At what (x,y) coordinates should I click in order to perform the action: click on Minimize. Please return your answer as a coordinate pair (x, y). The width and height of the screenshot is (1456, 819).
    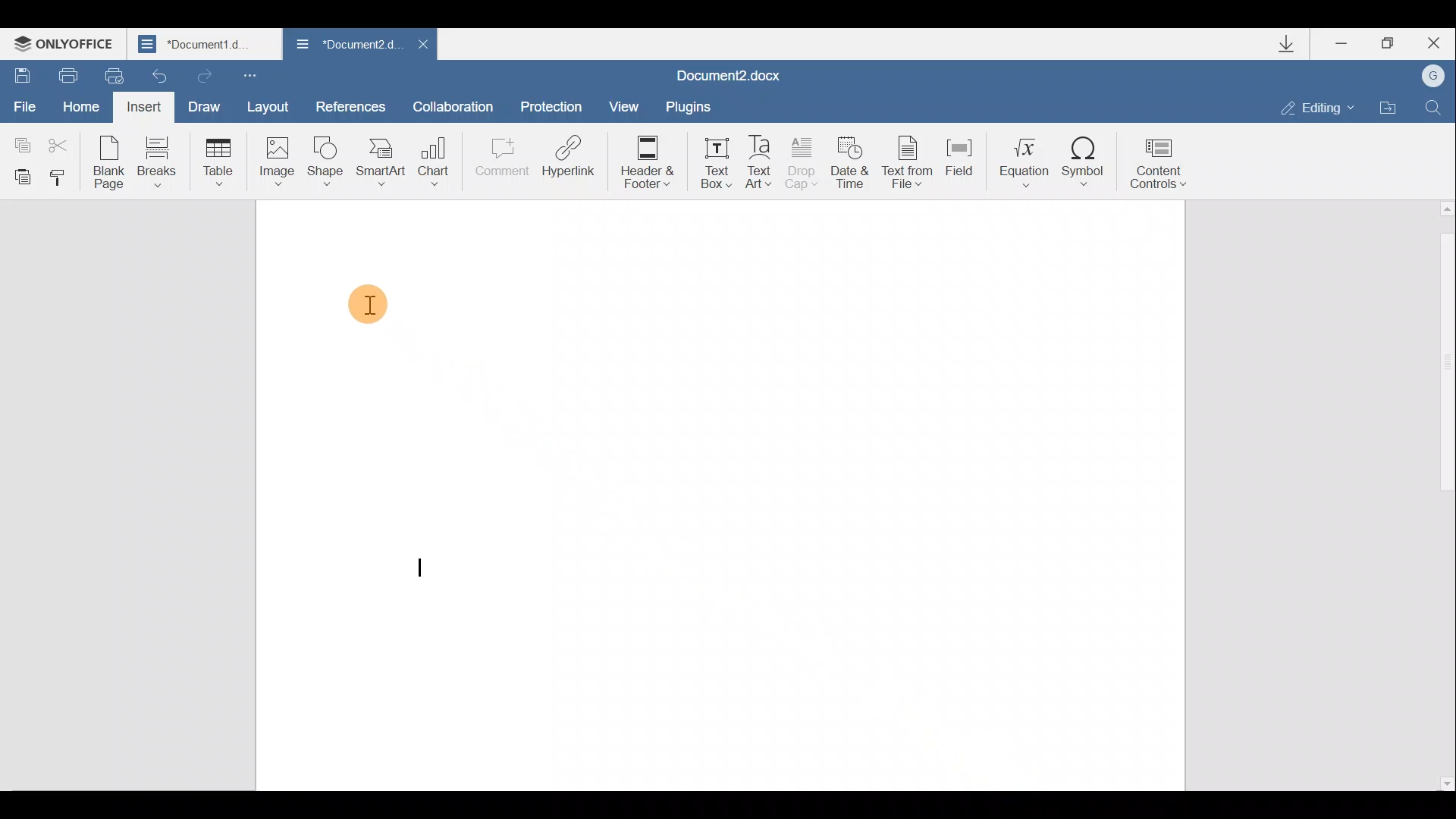
    Looking at the image, I should click on (1342, 45).